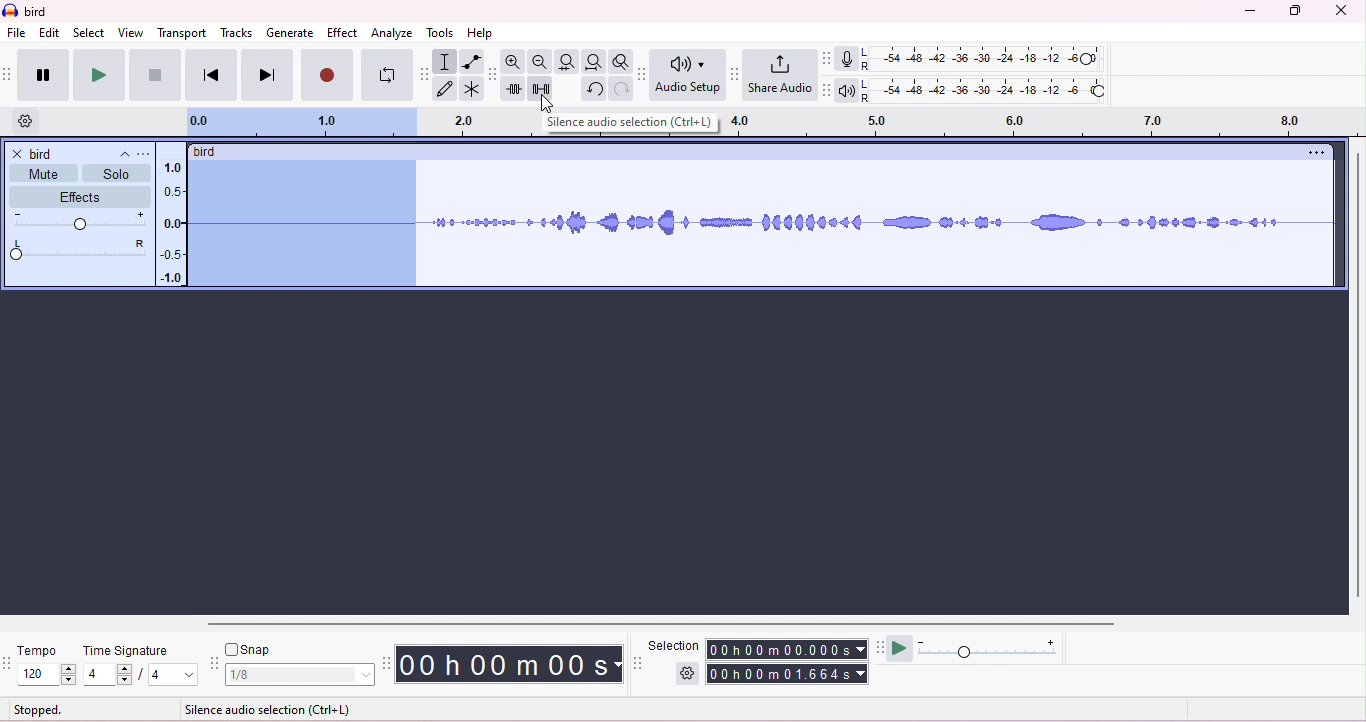  What do you see at coordinates (146, 153) in the screenshot?
I see `track title` at bounding box center [146, 153].